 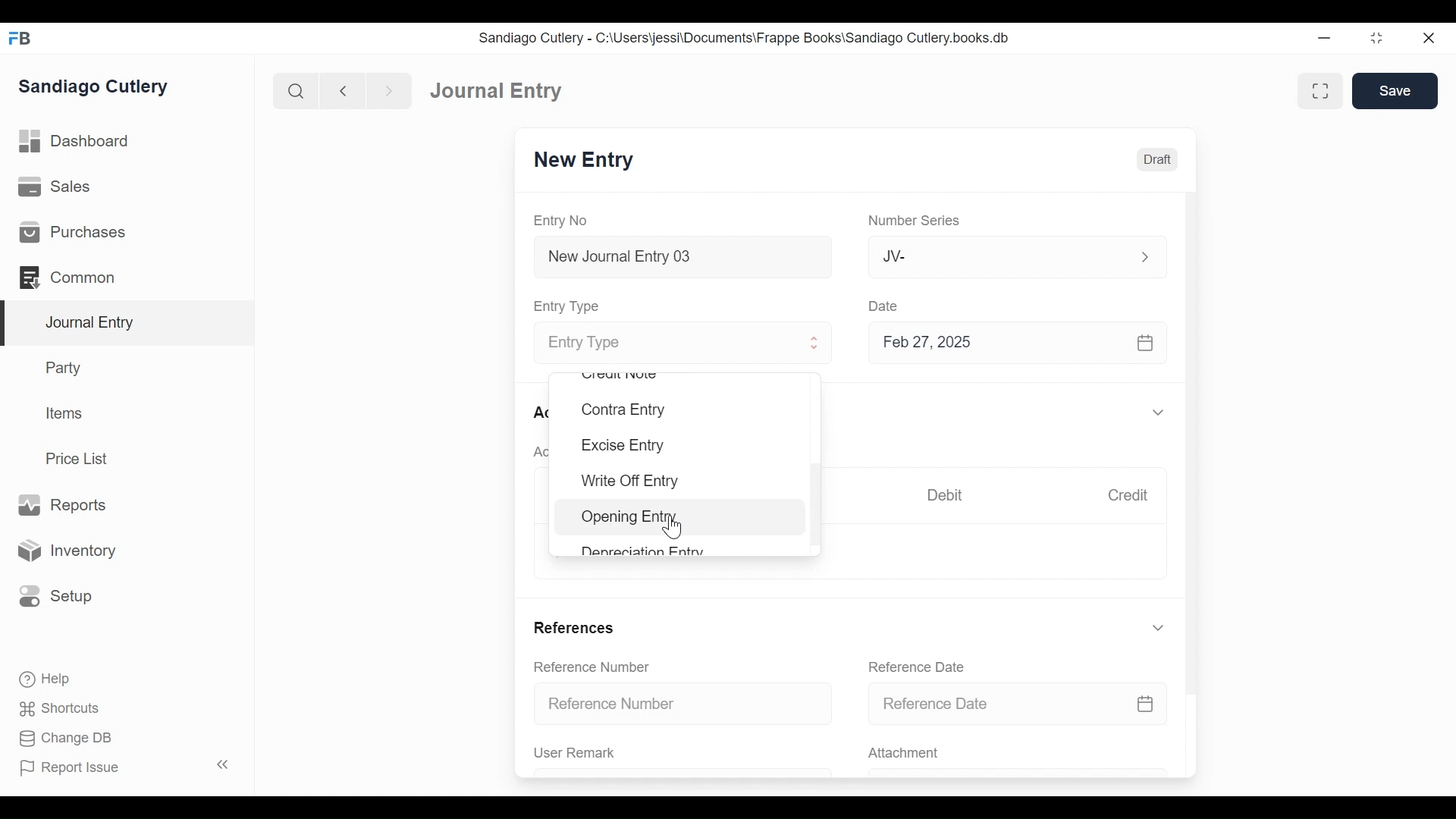 What do you see at coordinates (124, 324) in the screenshot?
I see `Journal Entry` at bounding box center [124, 324].